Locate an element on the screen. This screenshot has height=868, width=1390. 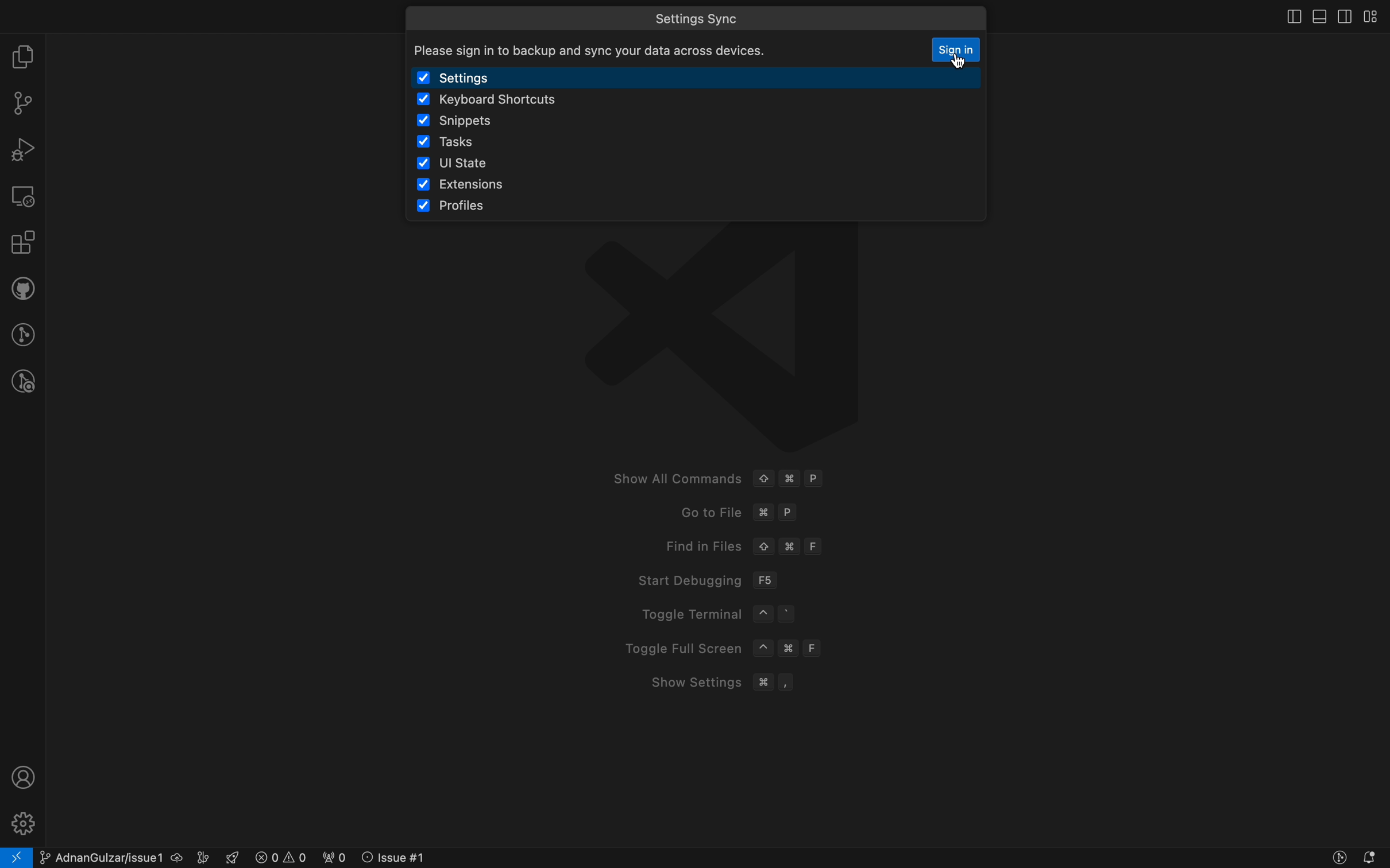
close slidebar is located at coordinates (1286, 18).